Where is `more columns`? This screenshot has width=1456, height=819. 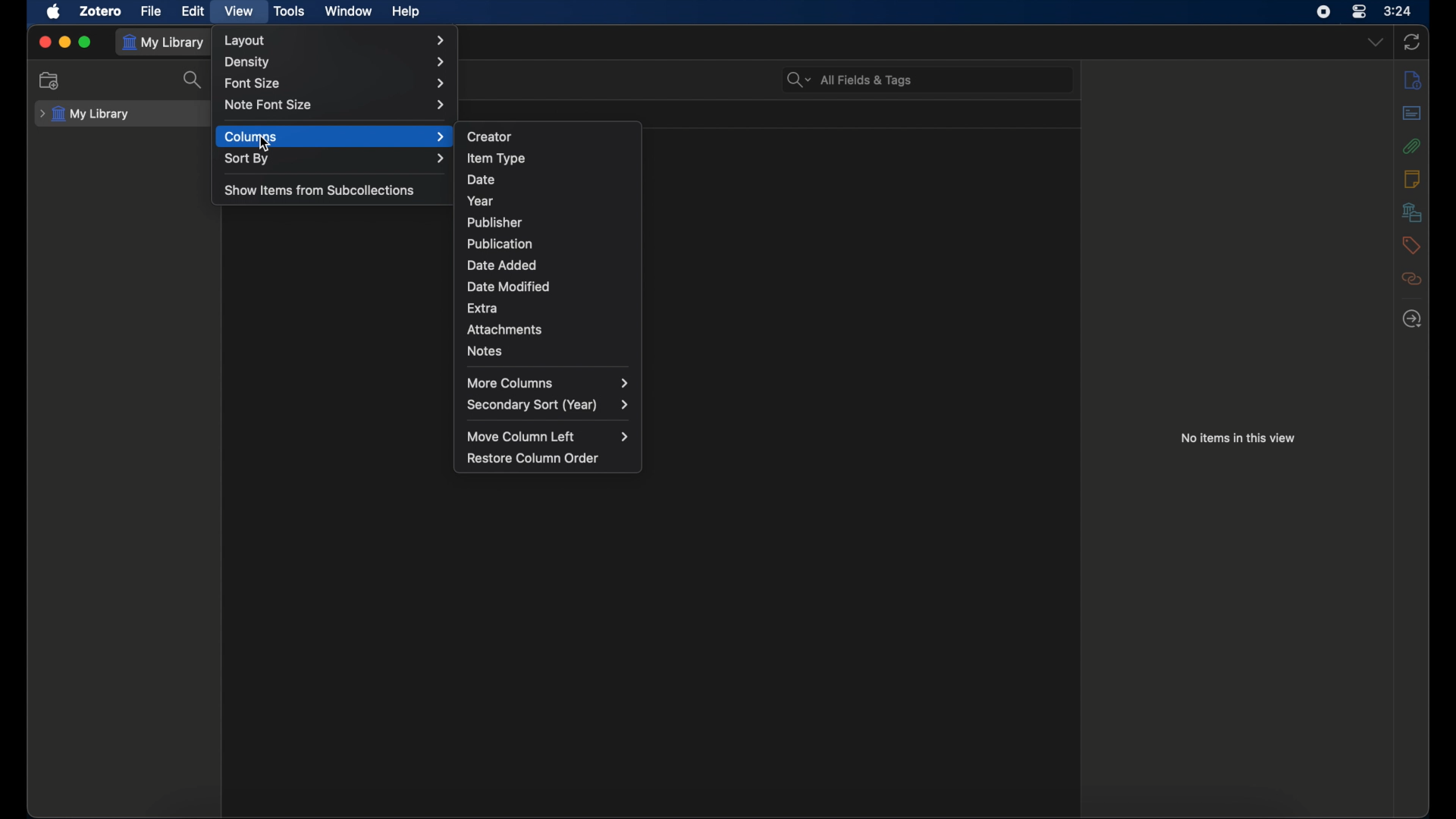
more columns is located at coordinates (548, 382).